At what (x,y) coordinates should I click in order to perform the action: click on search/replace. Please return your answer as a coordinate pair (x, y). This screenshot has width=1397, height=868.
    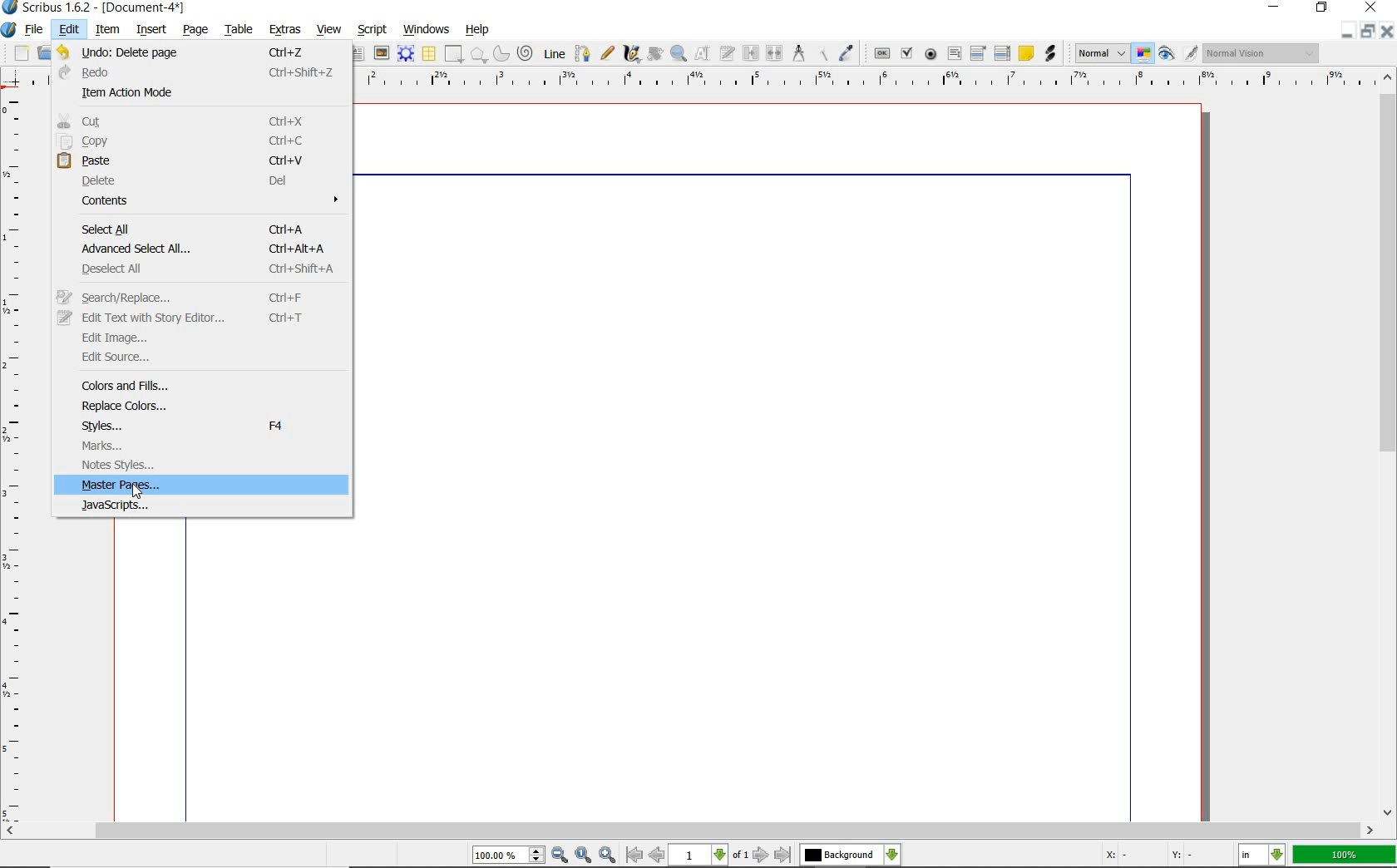
    Looking at the image, I should click on (200, 296).